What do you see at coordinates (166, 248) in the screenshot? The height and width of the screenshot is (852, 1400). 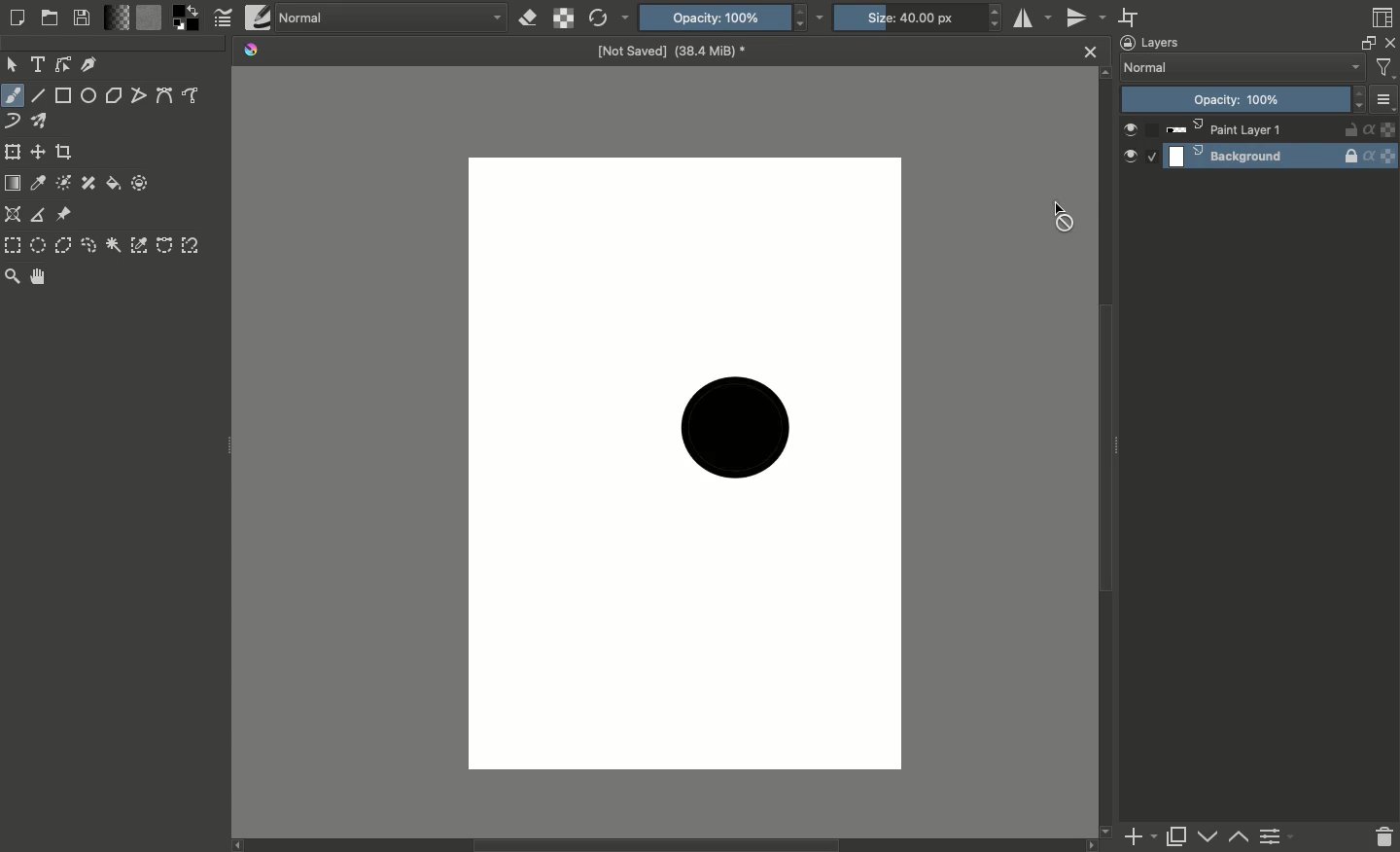 I see `Bézier curve selection tool` at bounding box center [166, 248].